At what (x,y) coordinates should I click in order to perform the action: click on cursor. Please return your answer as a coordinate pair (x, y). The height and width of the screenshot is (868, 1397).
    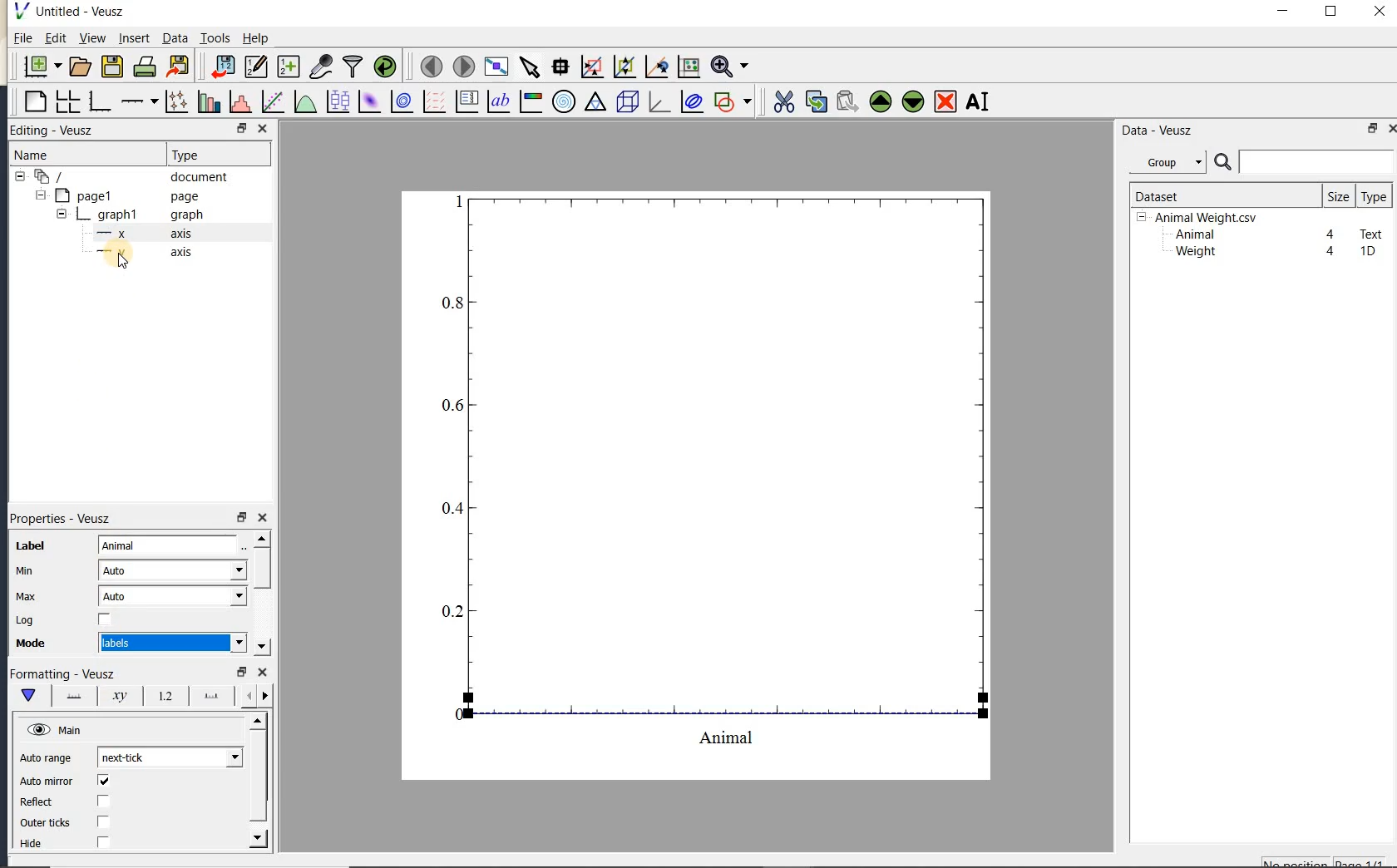
    Looking at the image, I should click on (121, 264).